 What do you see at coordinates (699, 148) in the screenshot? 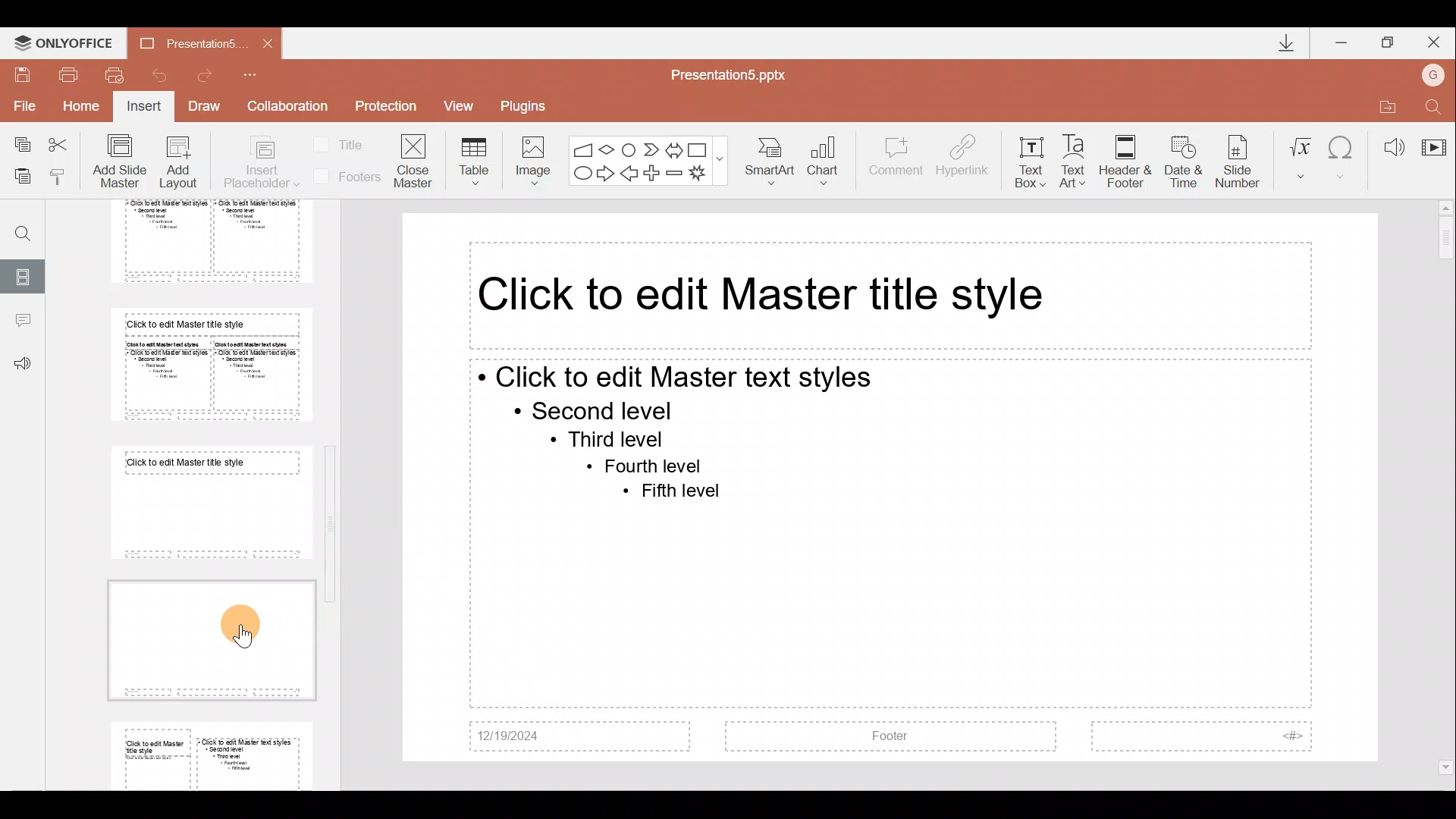
I see `Rectangle` at bounding box center [699, 148].